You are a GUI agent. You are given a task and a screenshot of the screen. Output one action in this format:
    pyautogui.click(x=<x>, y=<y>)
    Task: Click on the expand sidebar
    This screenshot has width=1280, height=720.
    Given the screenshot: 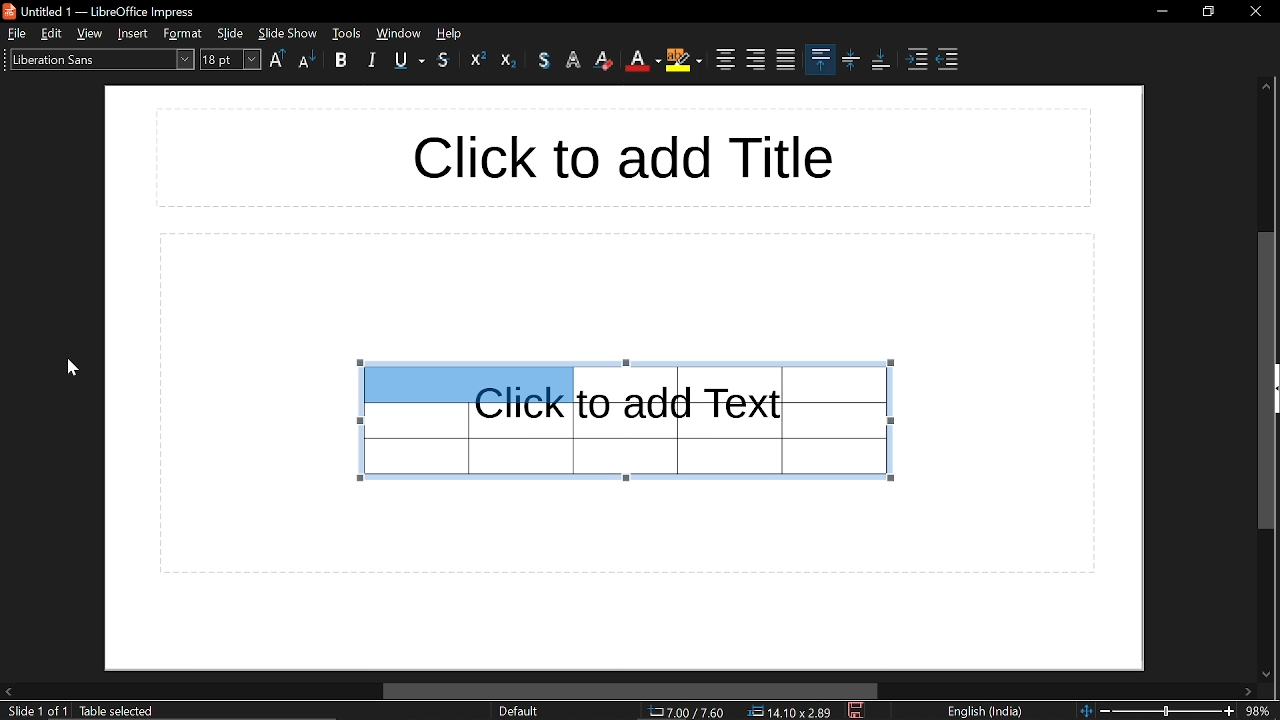 What is the action you would take?
    pyautogui.click(x=1276, y=388)
    